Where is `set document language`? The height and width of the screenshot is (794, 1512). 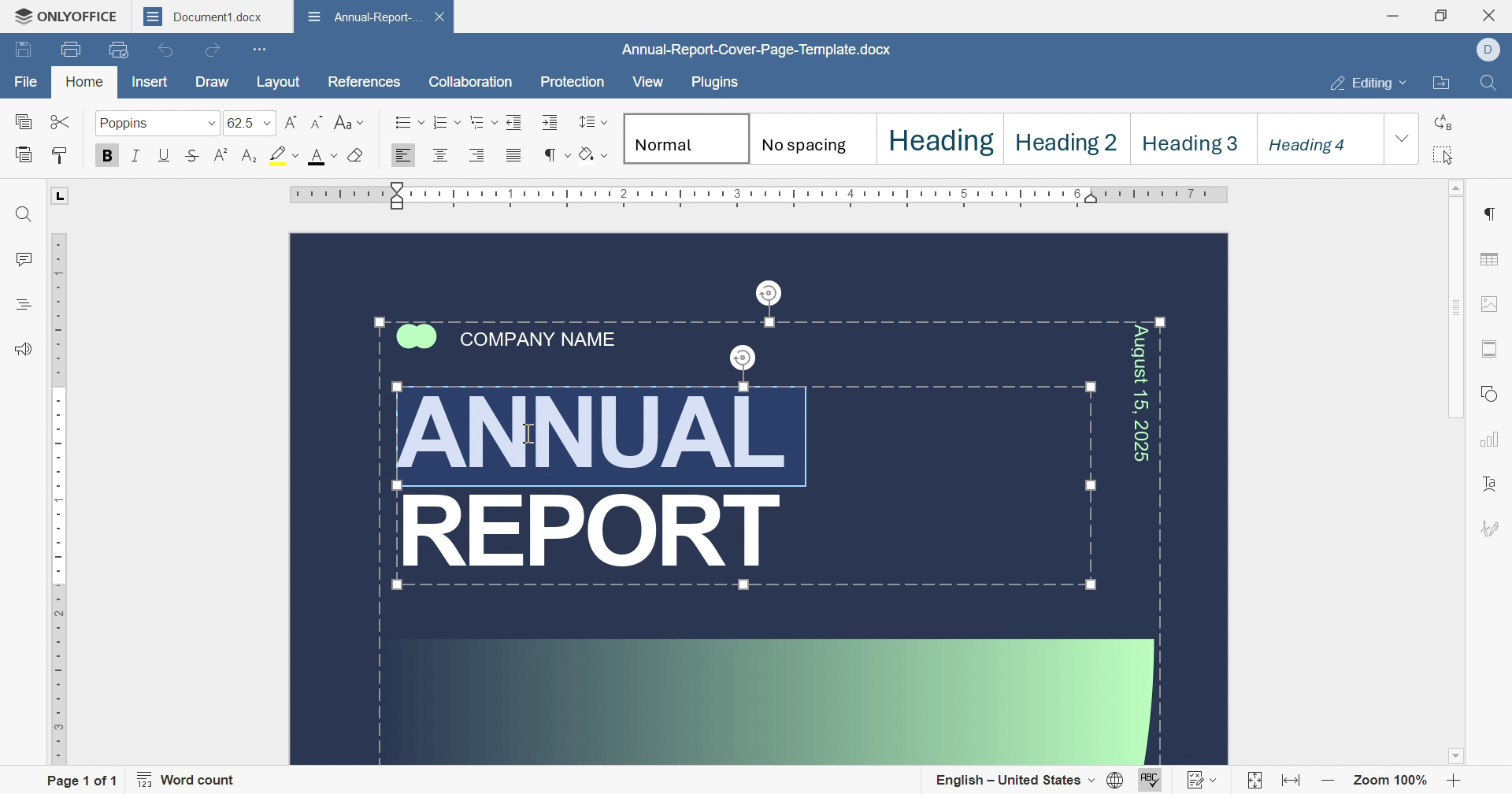
set document language is located at coordinates (1117, 781).